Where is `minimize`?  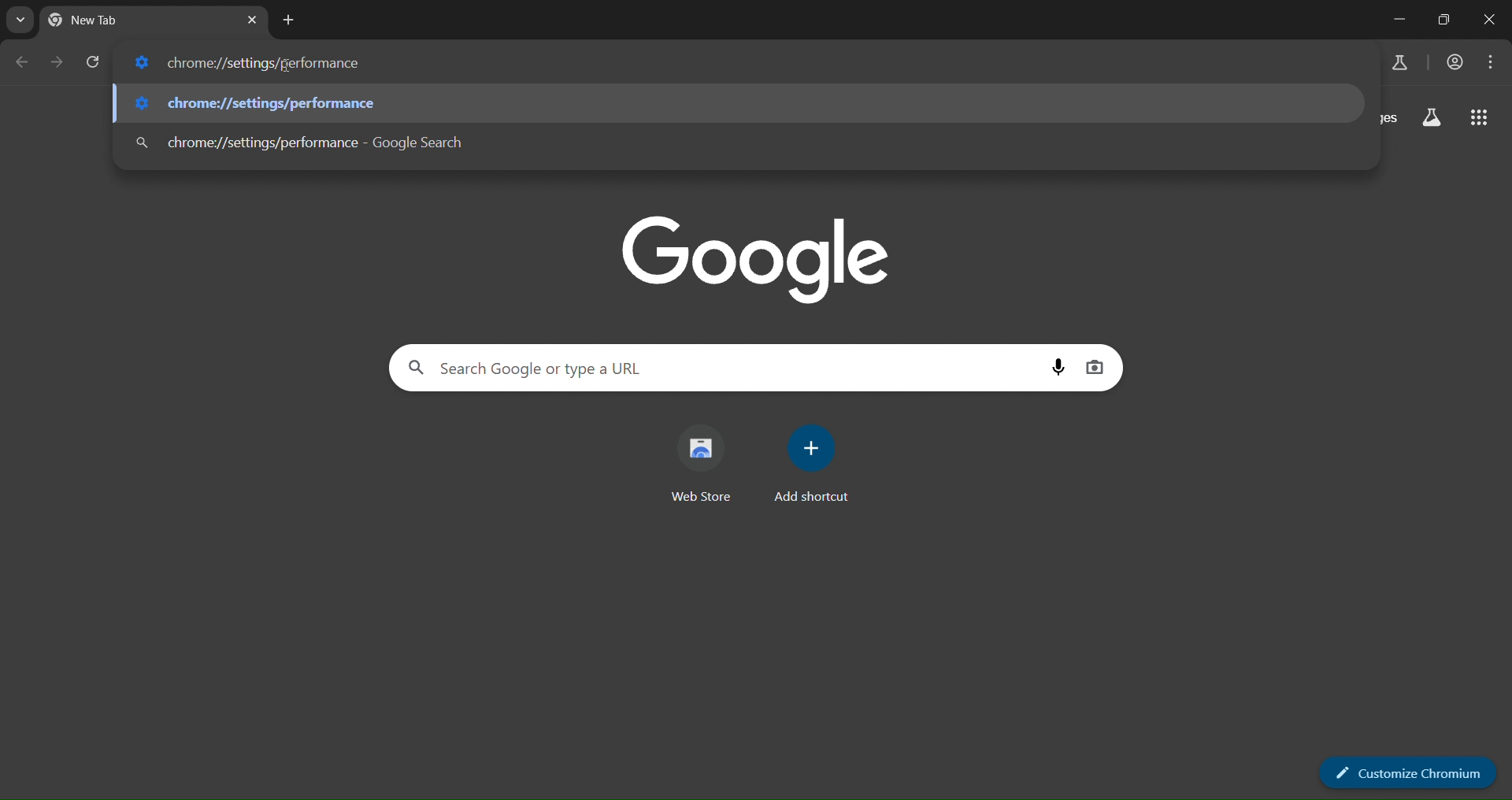
minimize is located at coordinates (1397, 20).